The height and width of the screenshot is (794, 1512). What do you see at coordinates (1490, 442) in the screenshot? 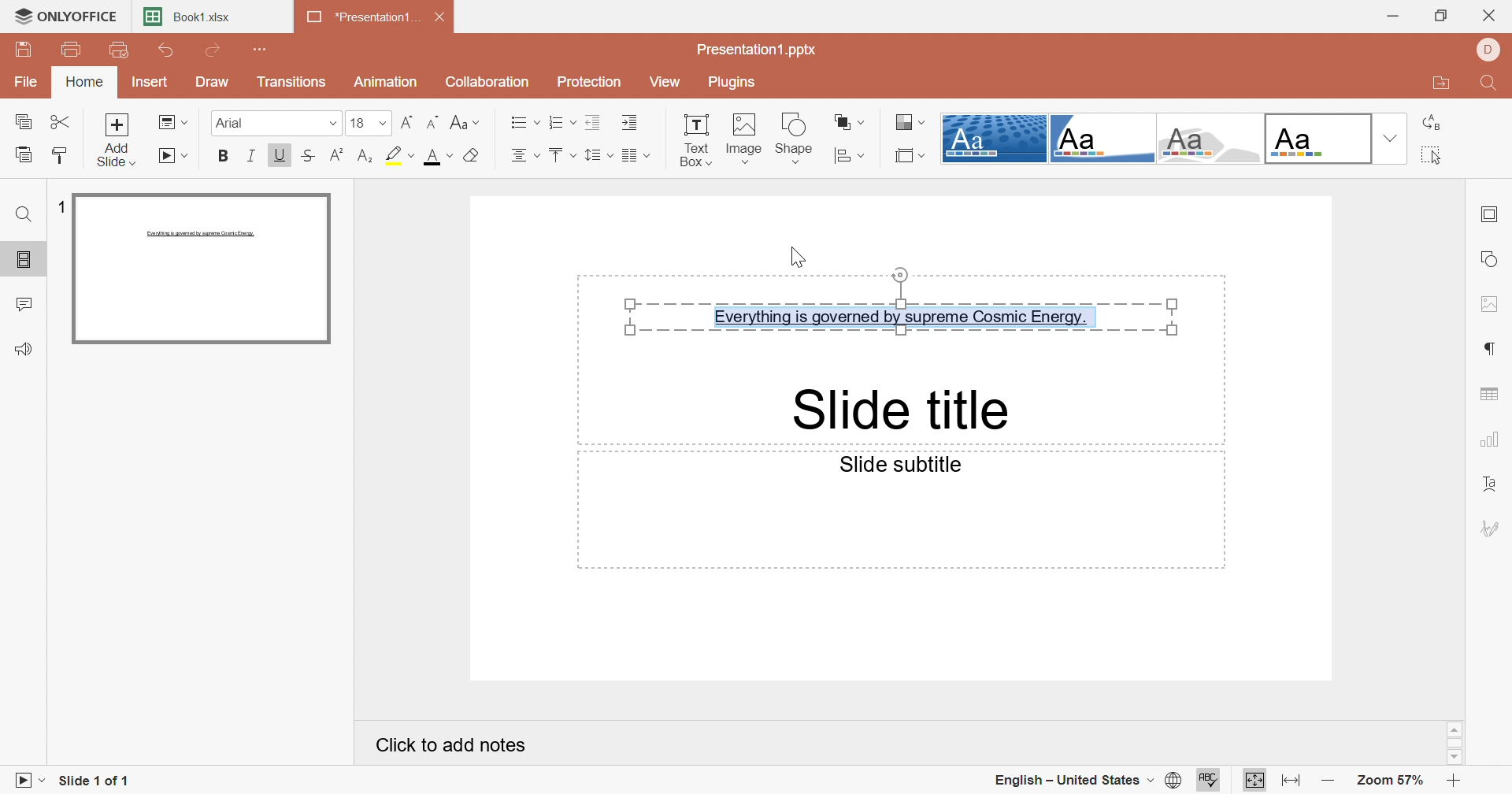
I see `Chart settings` at bounding box center [1490, 442].